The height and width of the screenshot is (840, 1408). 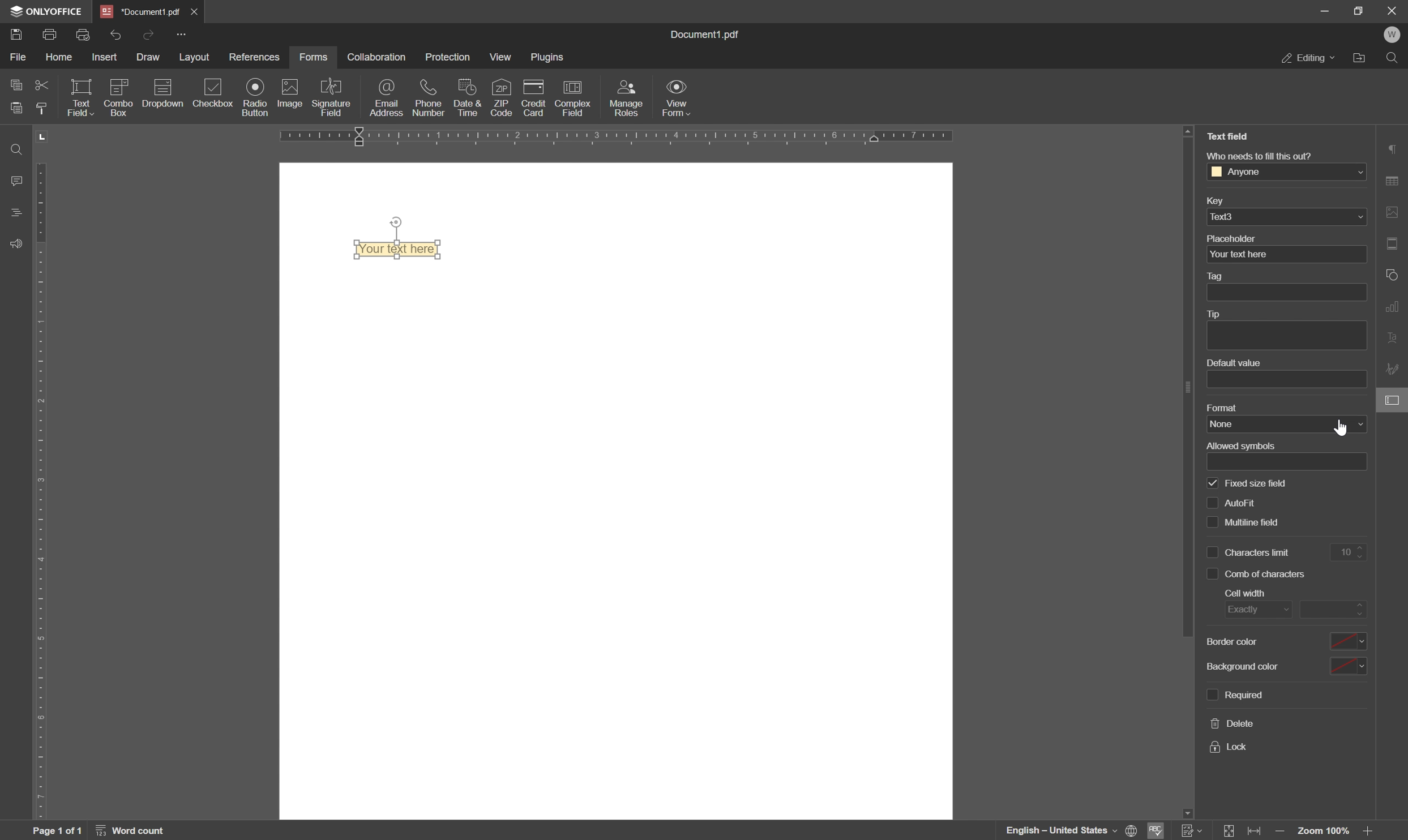 I want to click on allowed symbols, so click(x=1239, y=445).